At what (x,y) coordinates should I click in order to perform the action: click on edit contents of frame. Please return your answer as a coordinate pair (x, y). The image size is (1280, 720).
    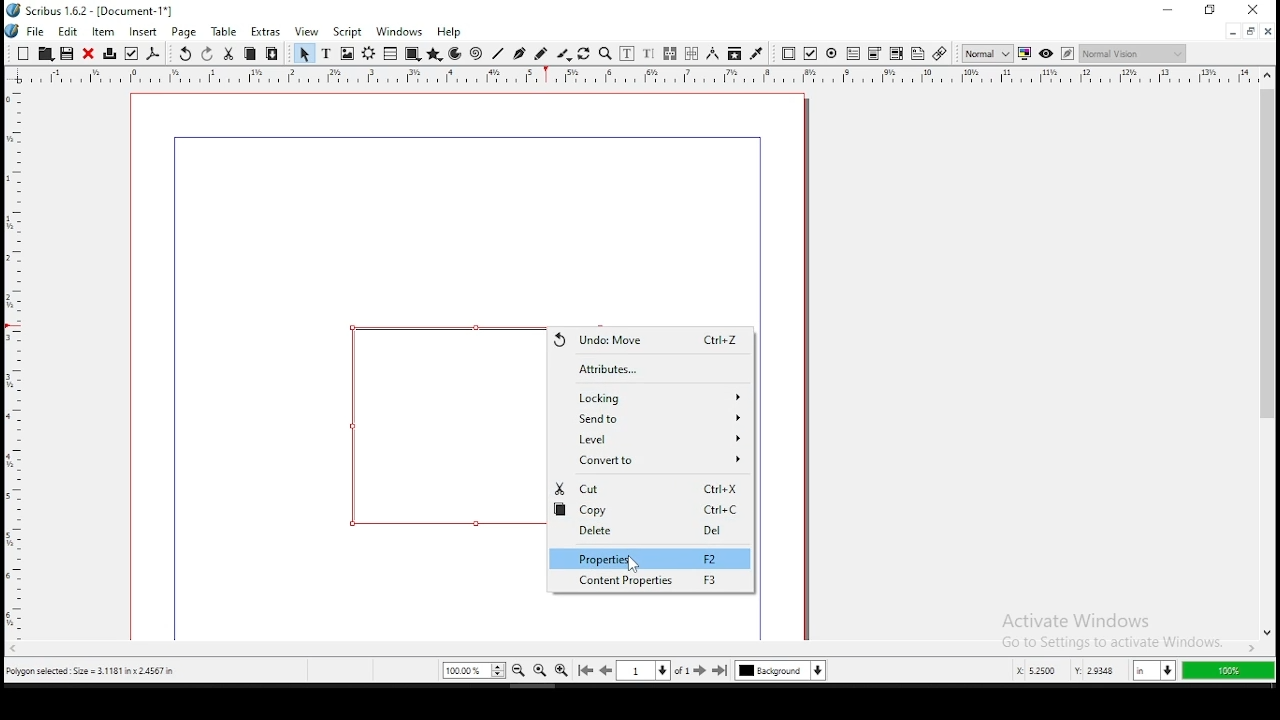
    Looking at the image, I should click on (627, 54).